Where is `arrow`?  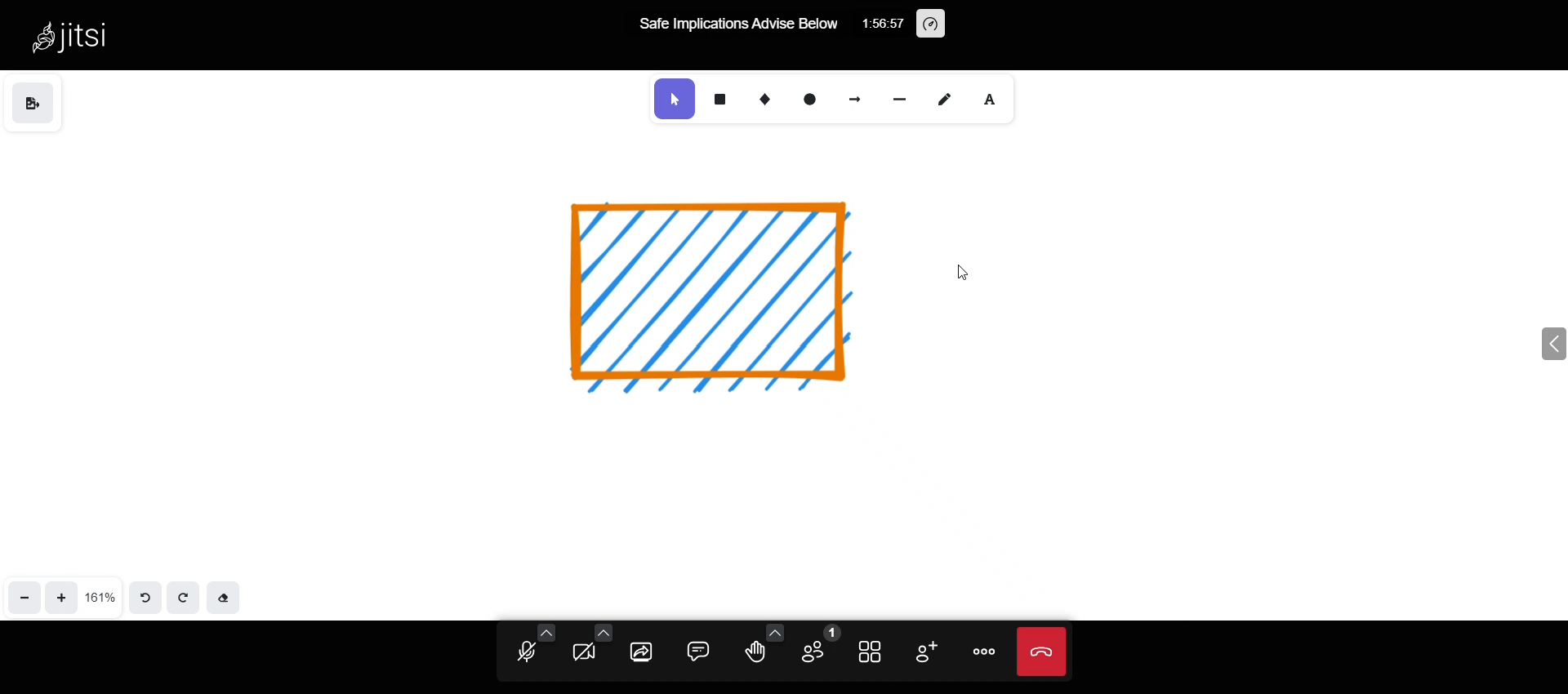 arrow is located at coordinates (855, 98).